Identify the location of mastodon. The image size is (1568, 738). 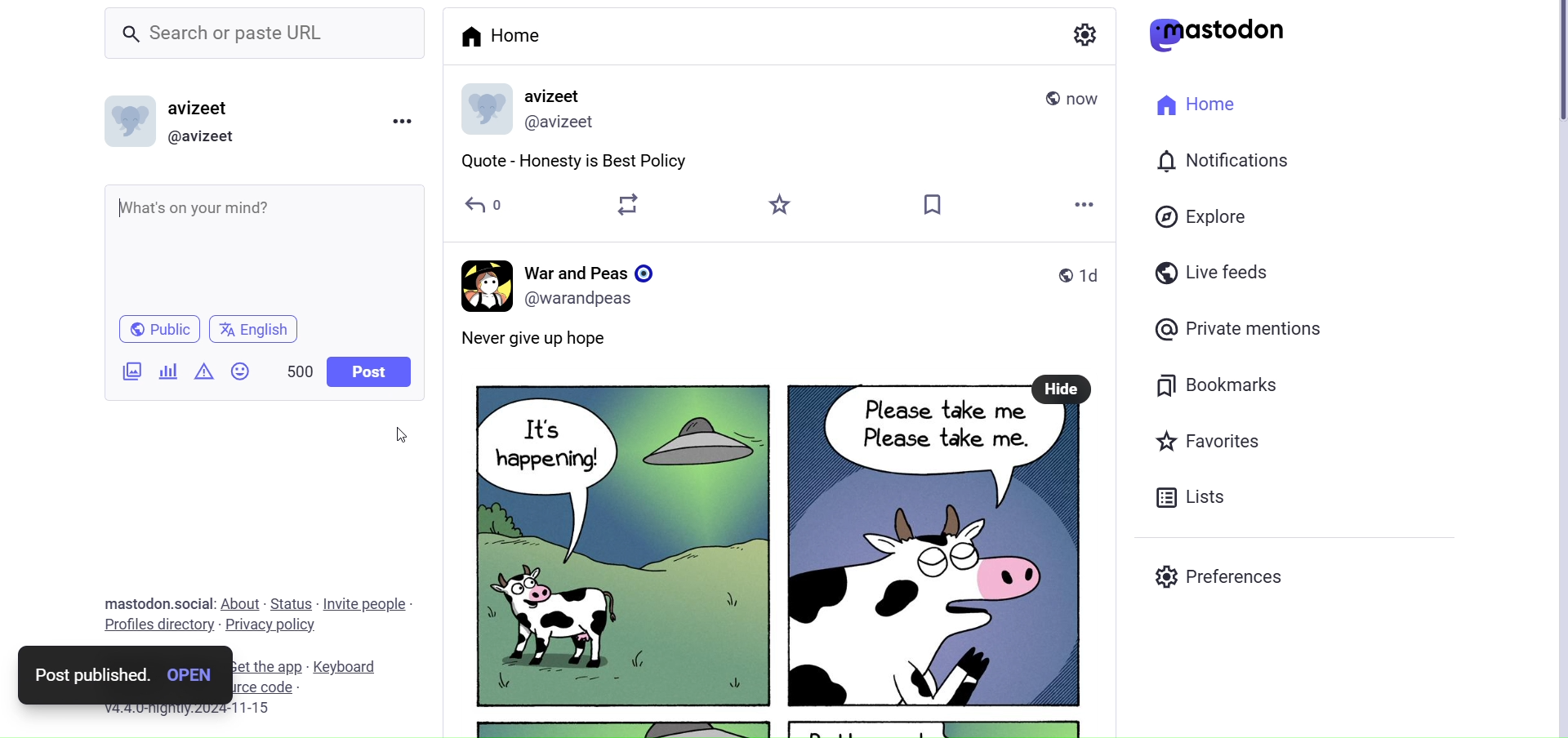
(1224, 34).